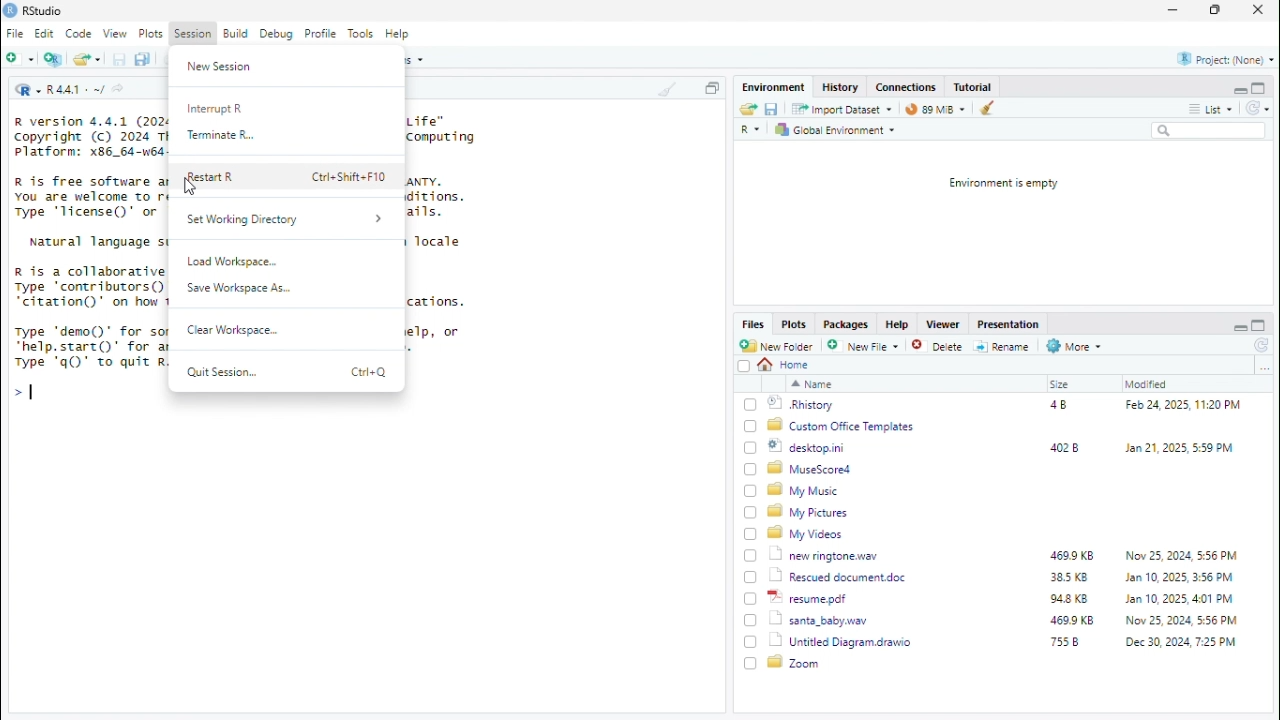  What do you see at coordinates (751, 448) in the screenshot?
I see `Checkbox` at bounding box center [751, 448].